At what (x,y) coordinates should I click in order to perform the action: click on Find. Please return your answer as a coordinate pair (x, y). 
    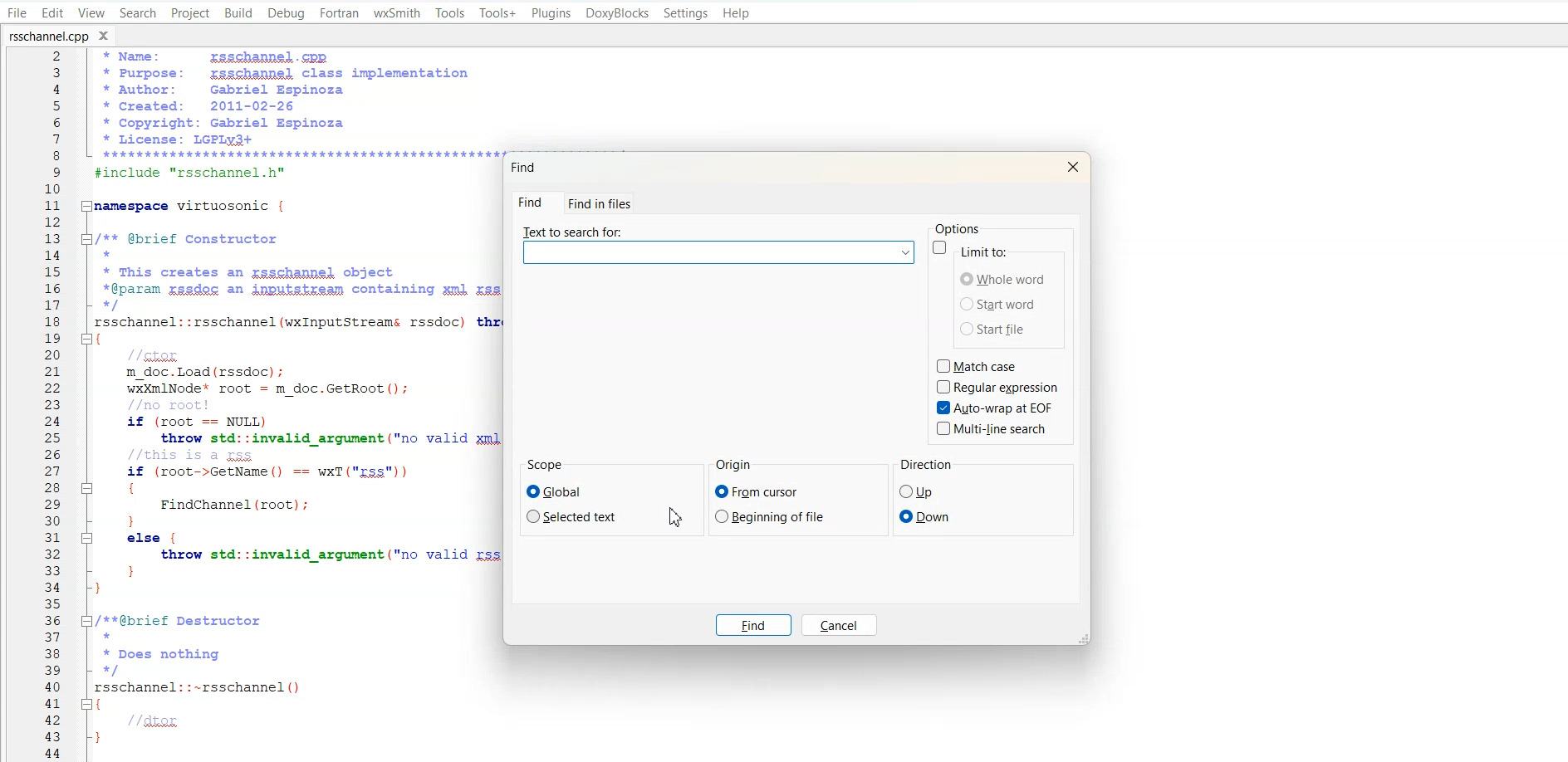
    Looking at the image, I should click on (526, 168).